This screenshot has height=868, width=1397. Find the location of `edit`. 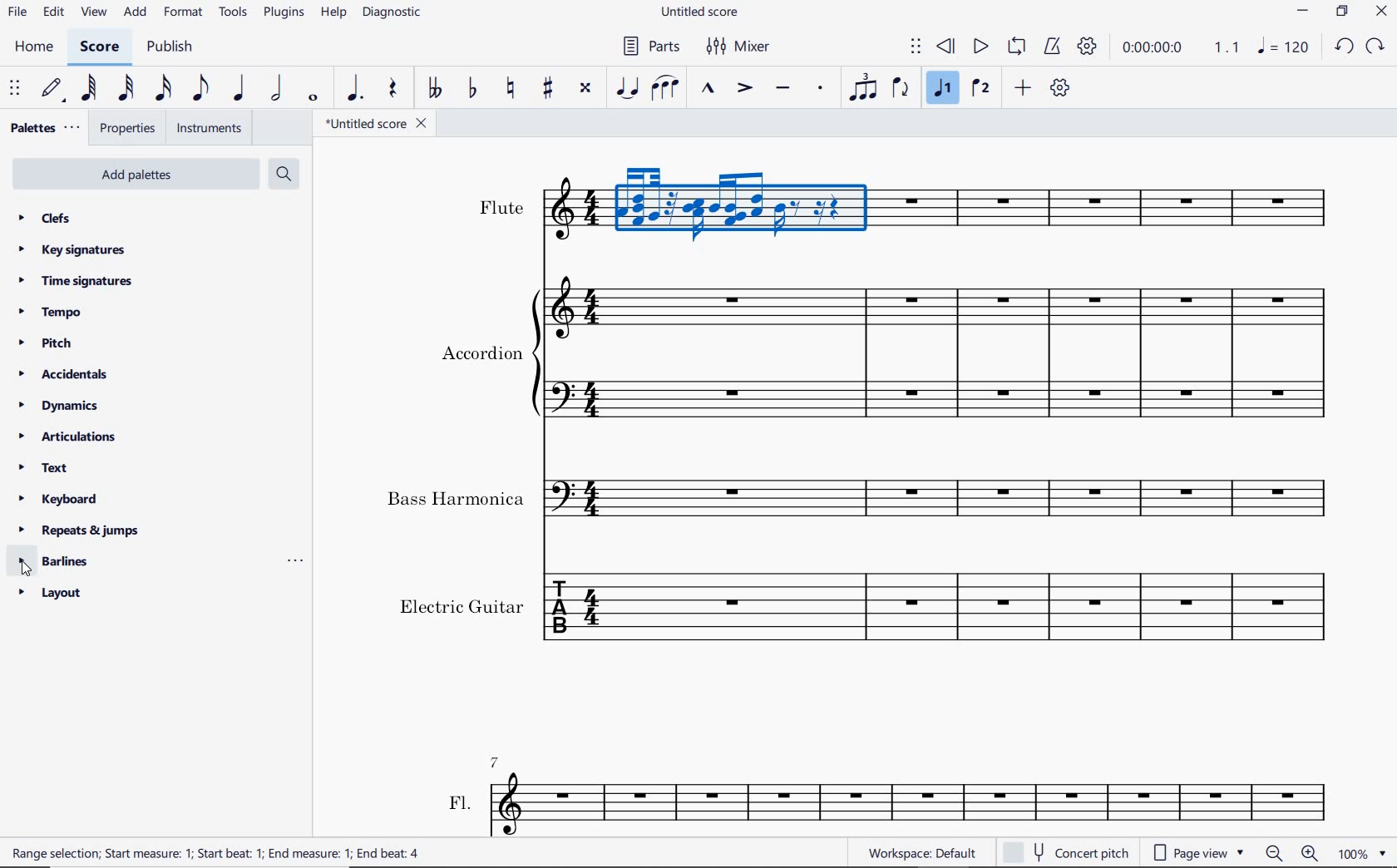

edit is located at coordinates (52, 14).